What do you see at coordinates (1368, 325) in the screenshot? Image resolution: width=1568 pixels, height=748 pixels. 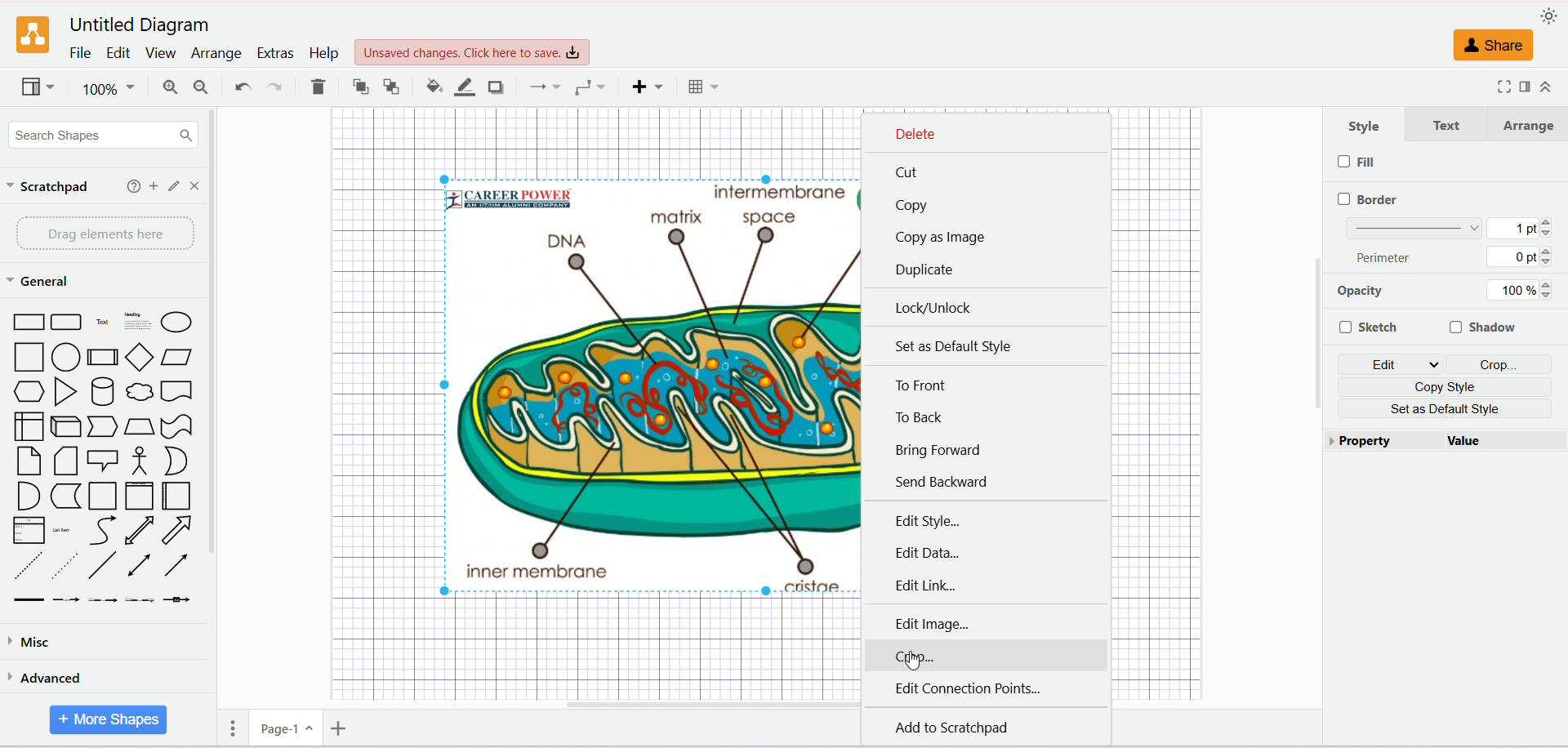 I see `sketch` at bounding box center [1368, 325].